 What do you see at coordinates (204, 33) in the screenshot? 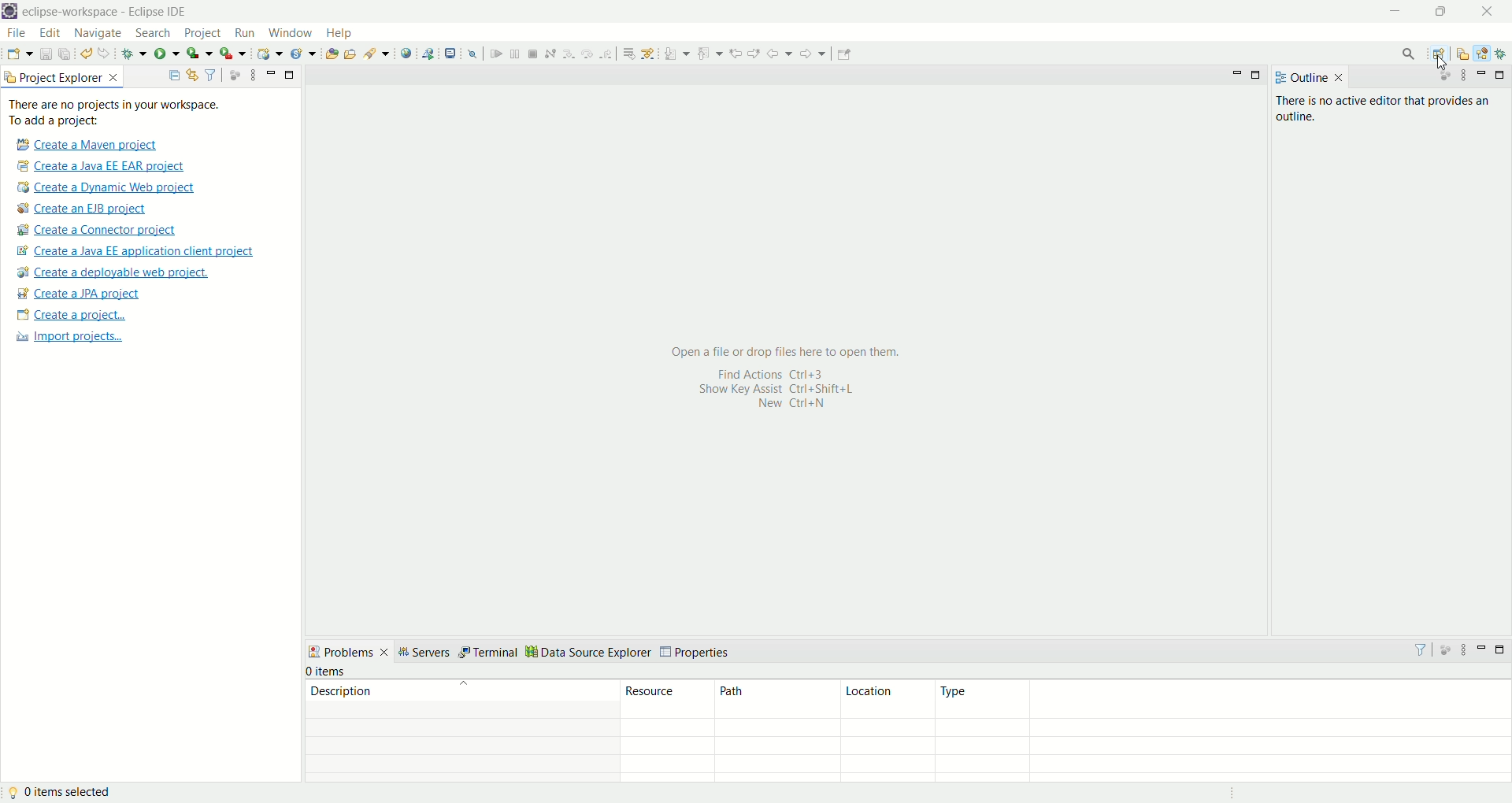
I see `project` at bounding box center [204, 33].